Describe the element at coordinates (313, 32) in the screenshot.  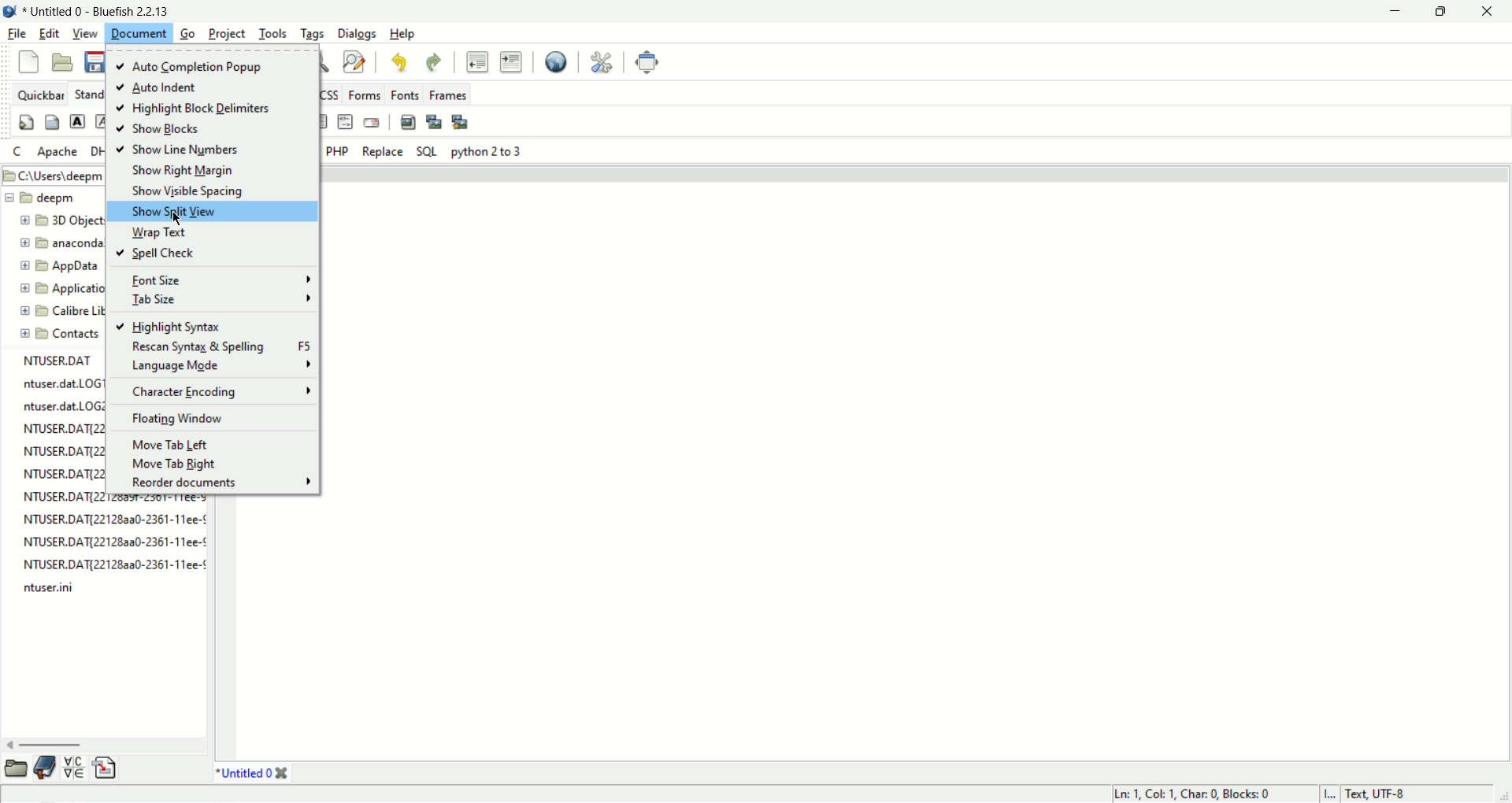
I see `tags` at that location.